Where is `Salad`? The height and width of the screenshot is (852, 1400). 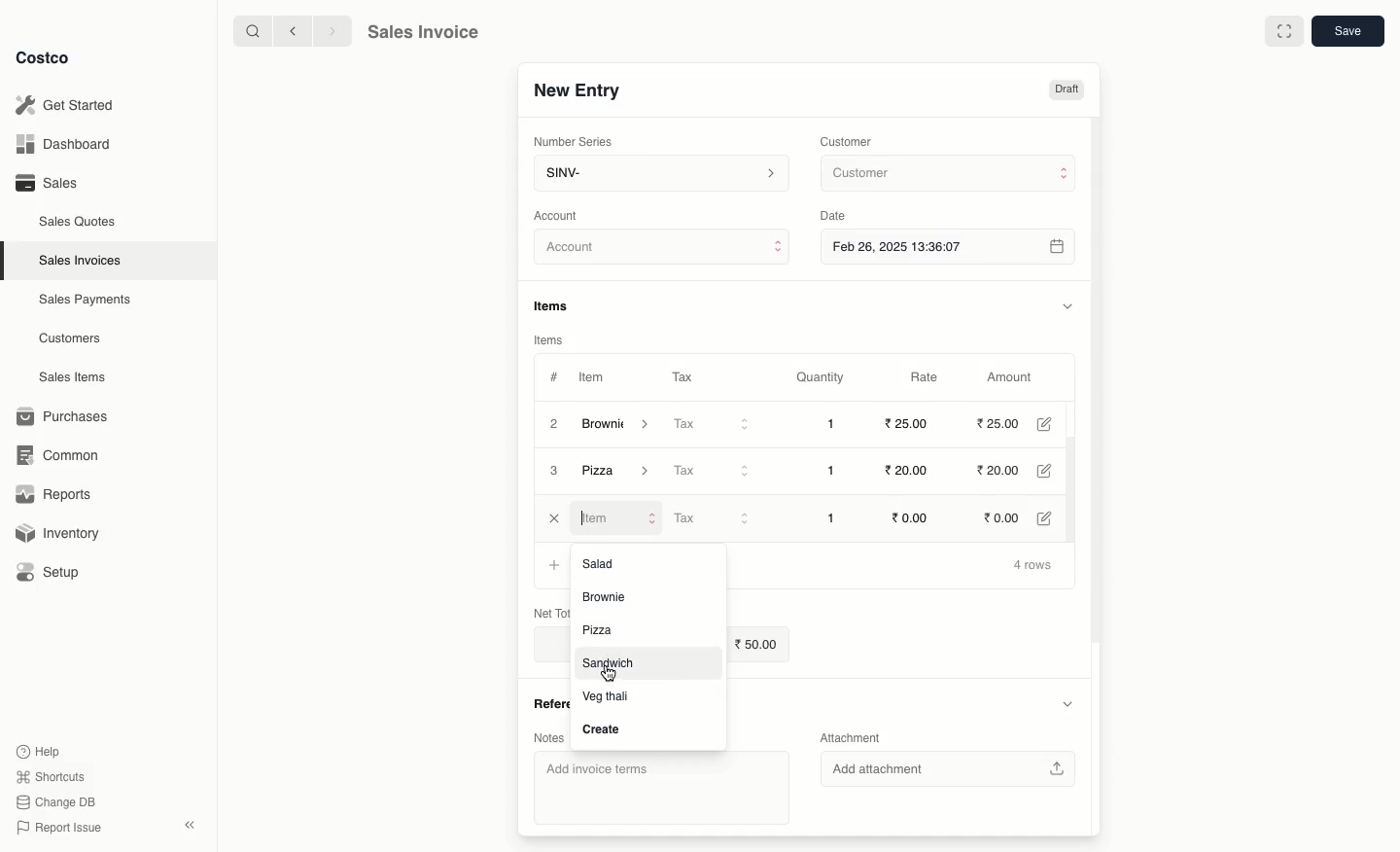 Salad is located at coordinates (608, 562).